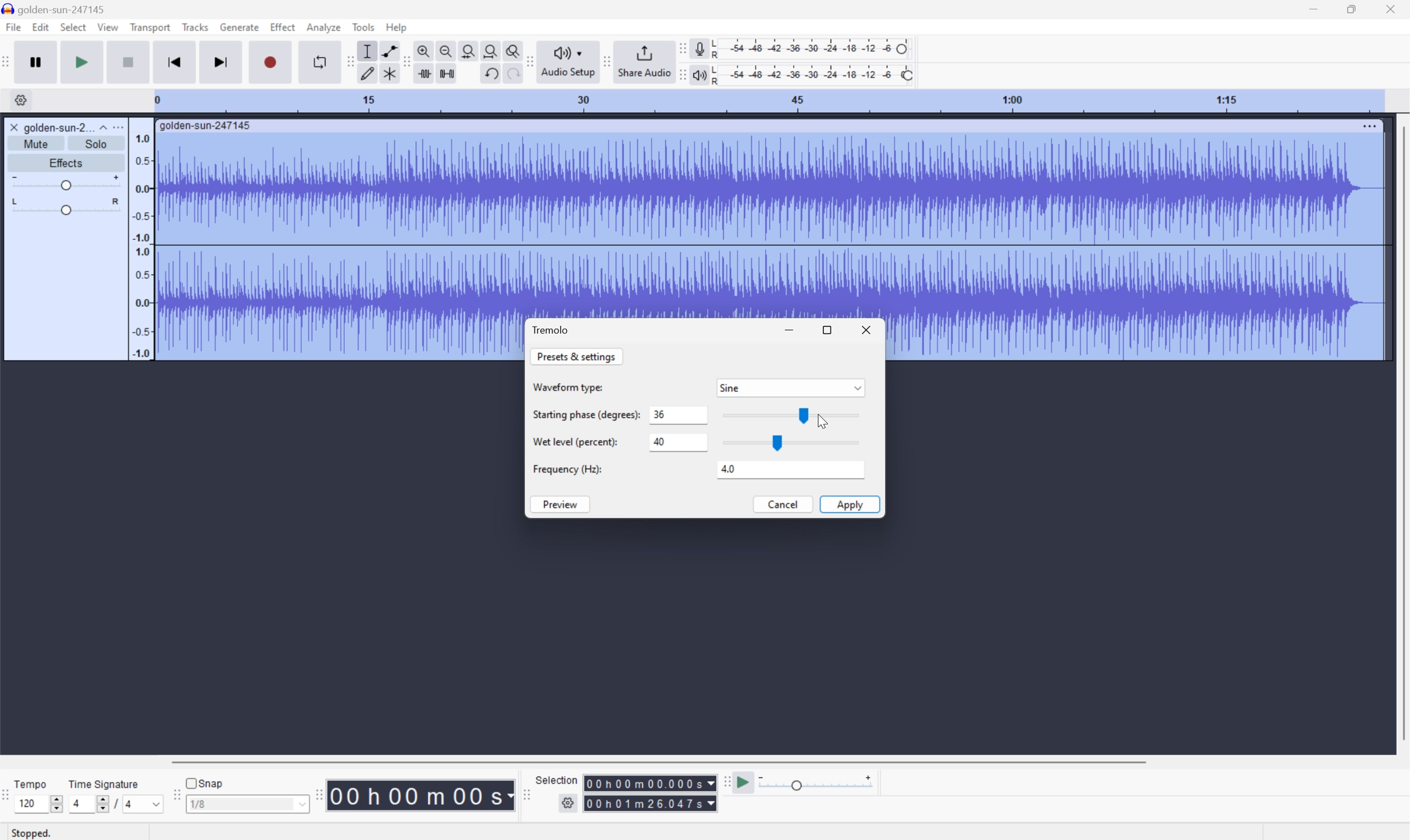 The image size is (1410, 840). Describe the element at coordinates (323, 27) in the screenshot. I see `Analyze` at that location.